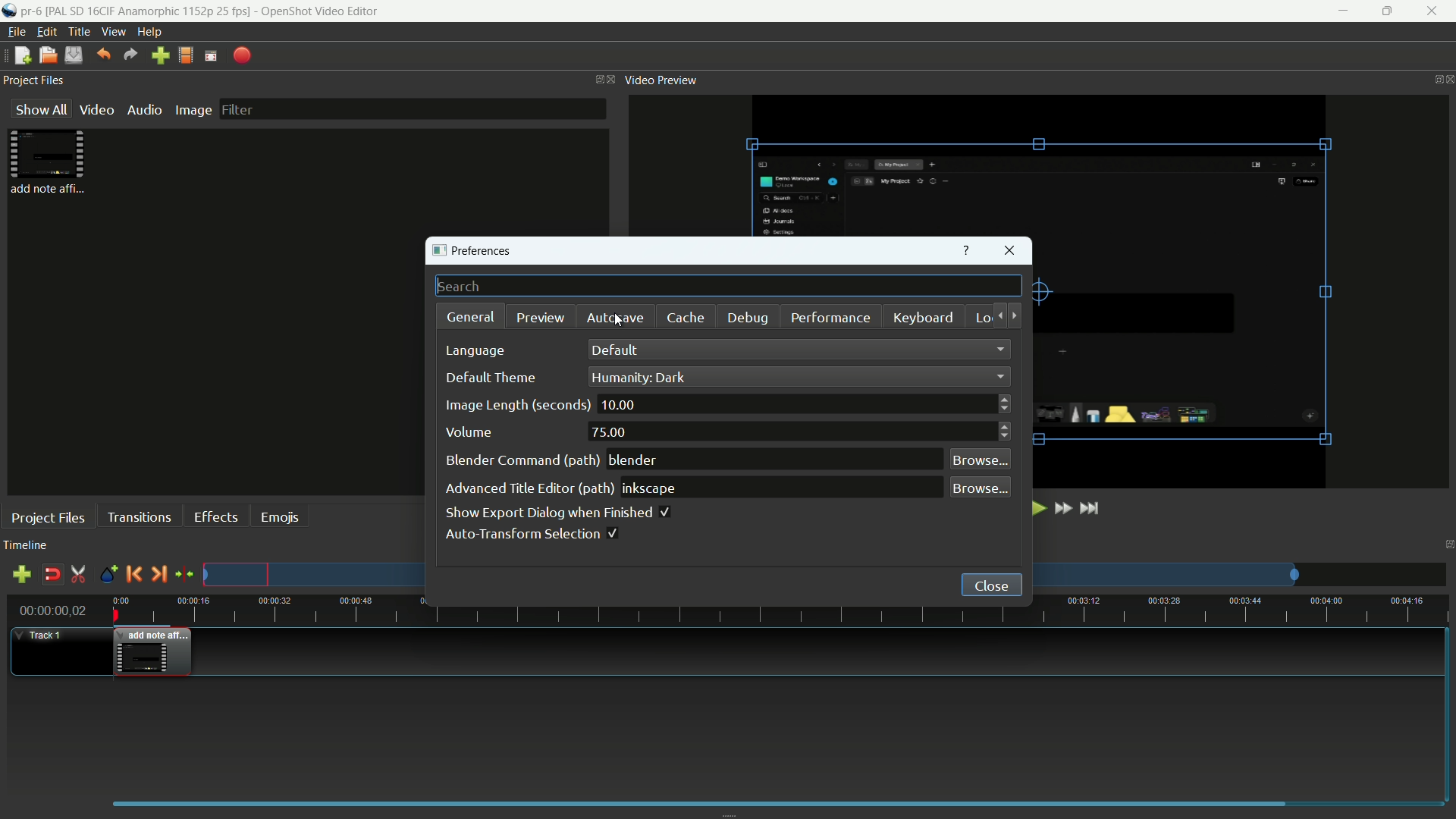  I want to click on emojis, so click(280, 518).